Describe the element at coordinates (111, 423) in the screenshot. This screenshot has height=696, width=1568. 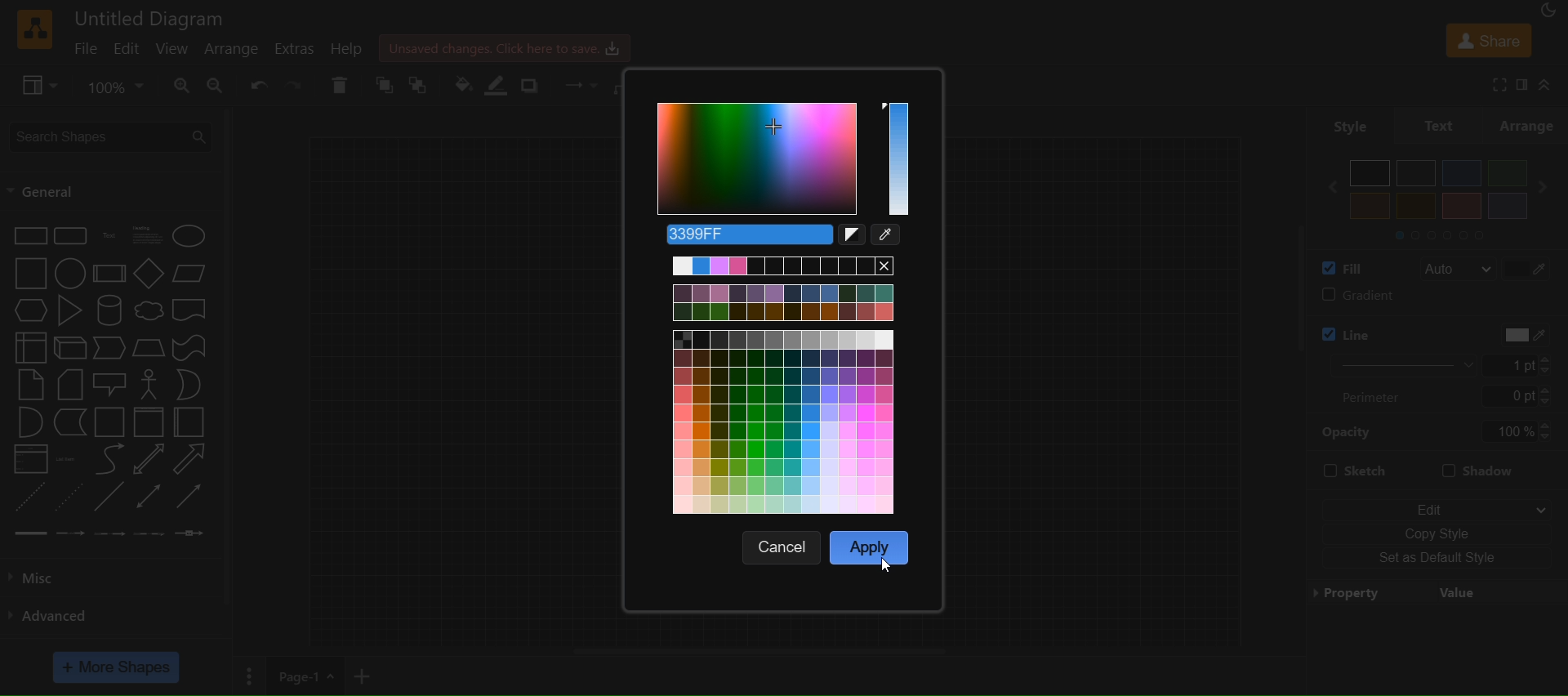
I see `container` at that location.